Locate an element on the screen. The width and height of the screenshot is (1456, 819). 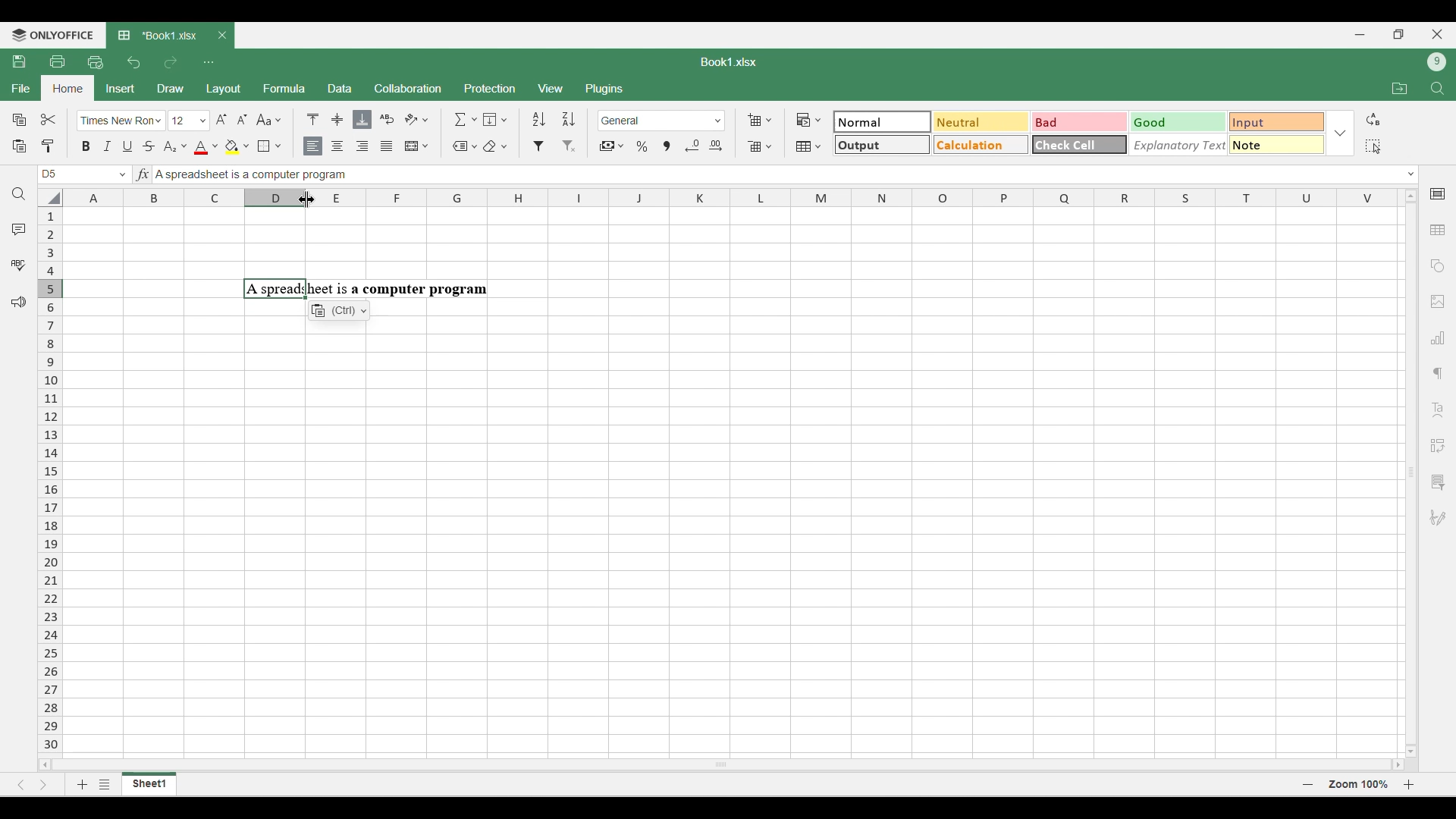
Strike through  is located at coordinates (149, 146).